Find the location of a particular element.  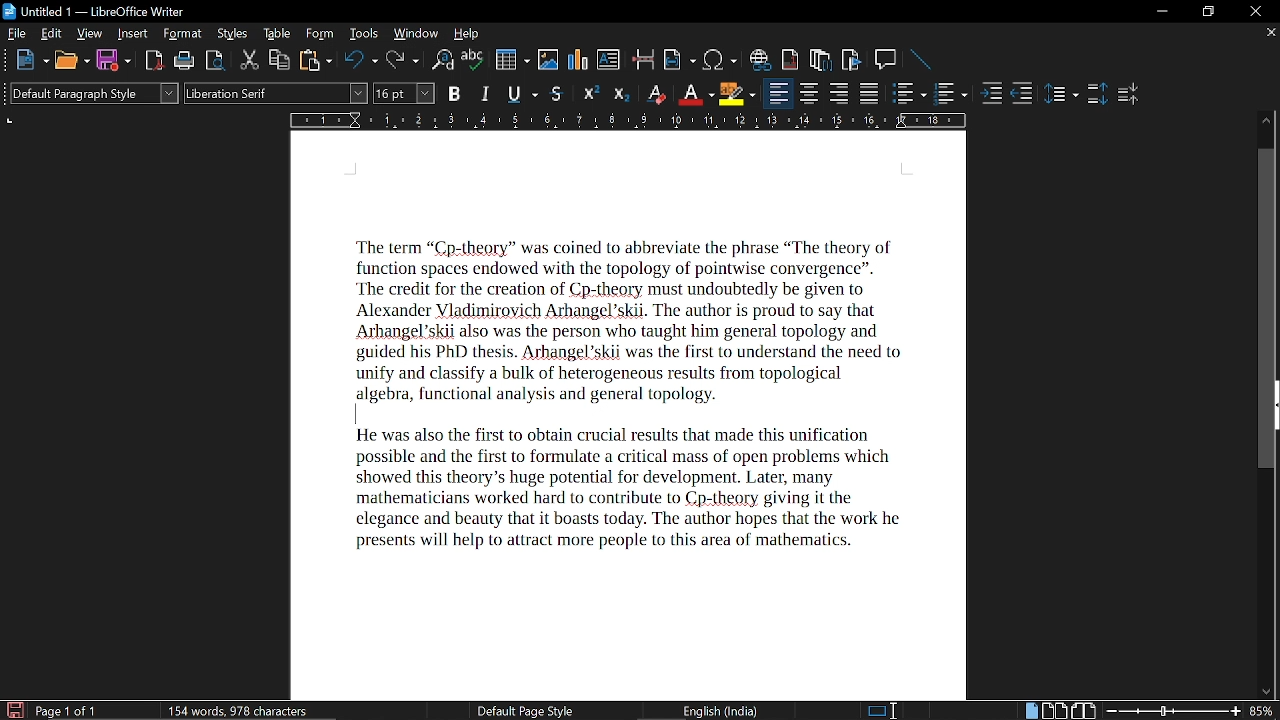

Help is located at coordinates (469, 35).